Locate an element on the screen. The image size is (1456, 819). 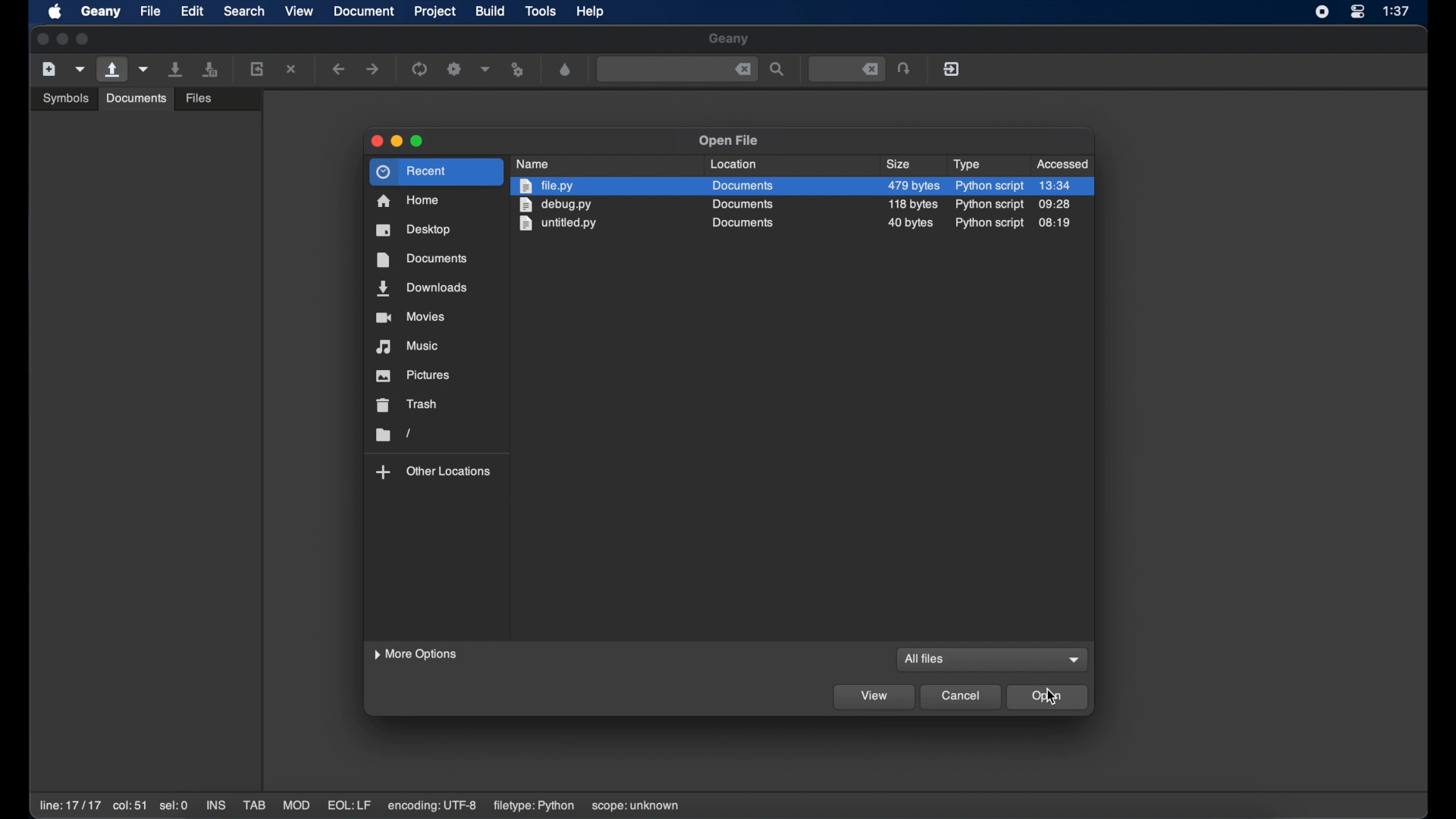
navigate forward a location is located at coordinates (373, 69).